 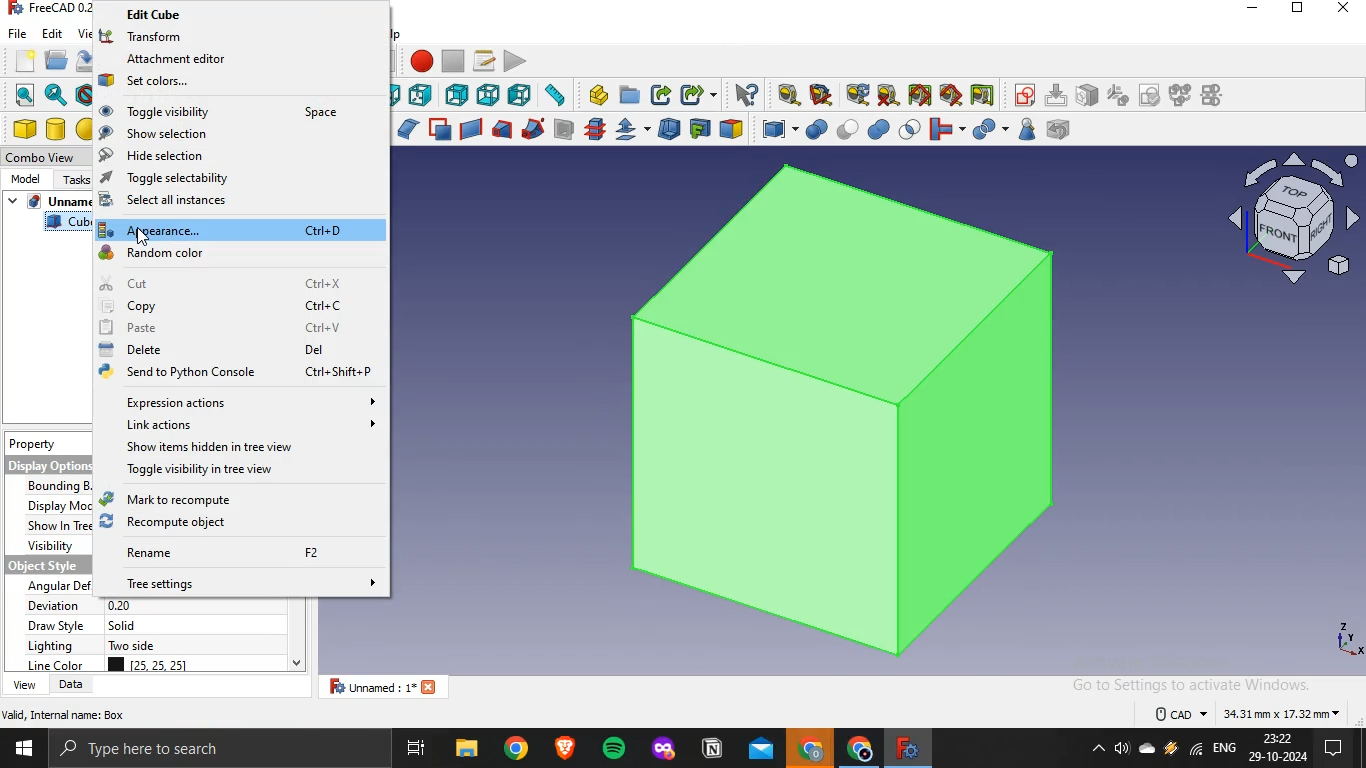 What do you see at coordinates (146, 239) in the screenshot?
I see `cursor` at bounding box center [146, 239].